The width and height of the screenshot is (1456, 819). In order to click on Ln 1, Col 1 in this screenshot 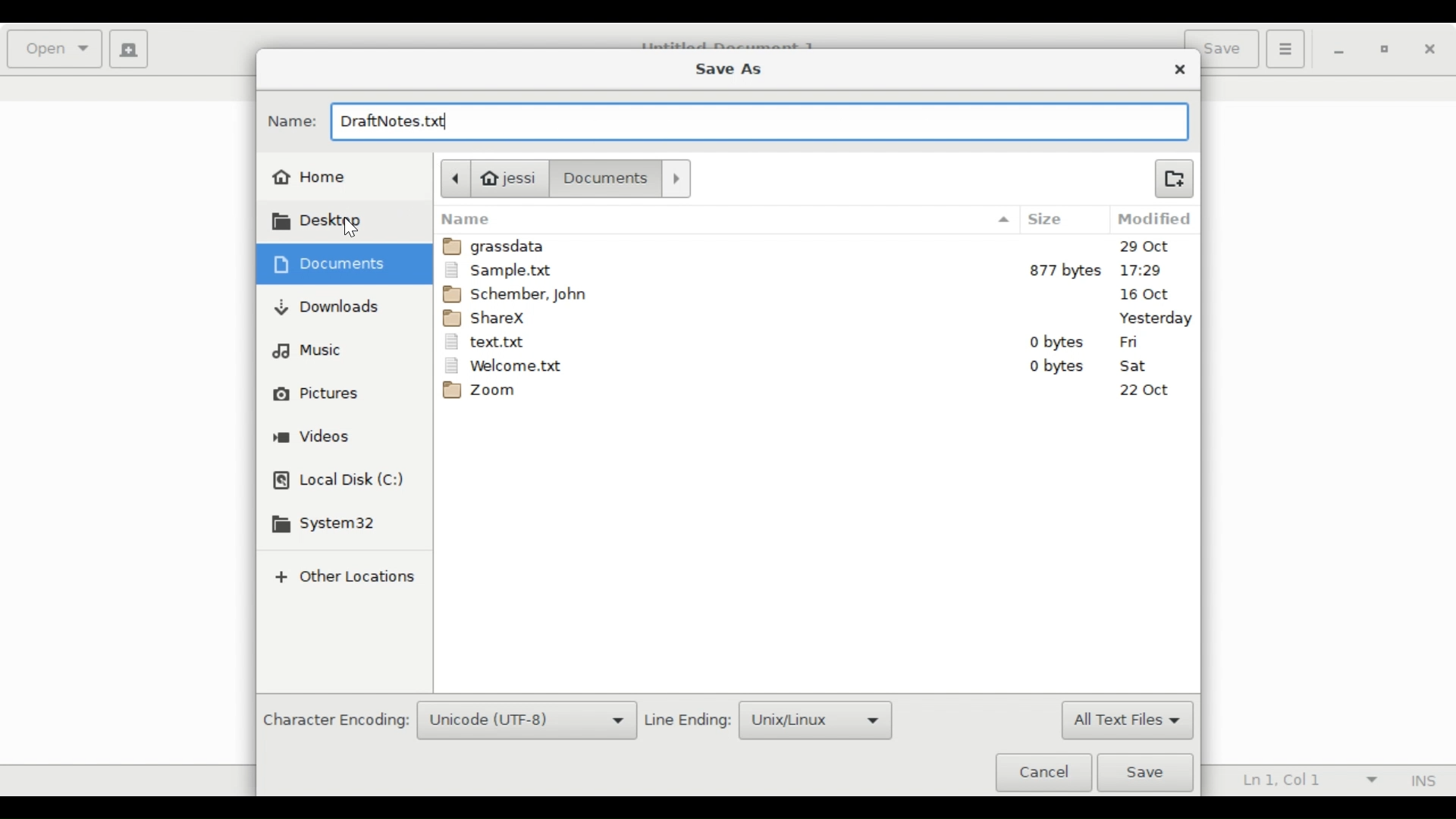, I will do `click(1305, 781)`.